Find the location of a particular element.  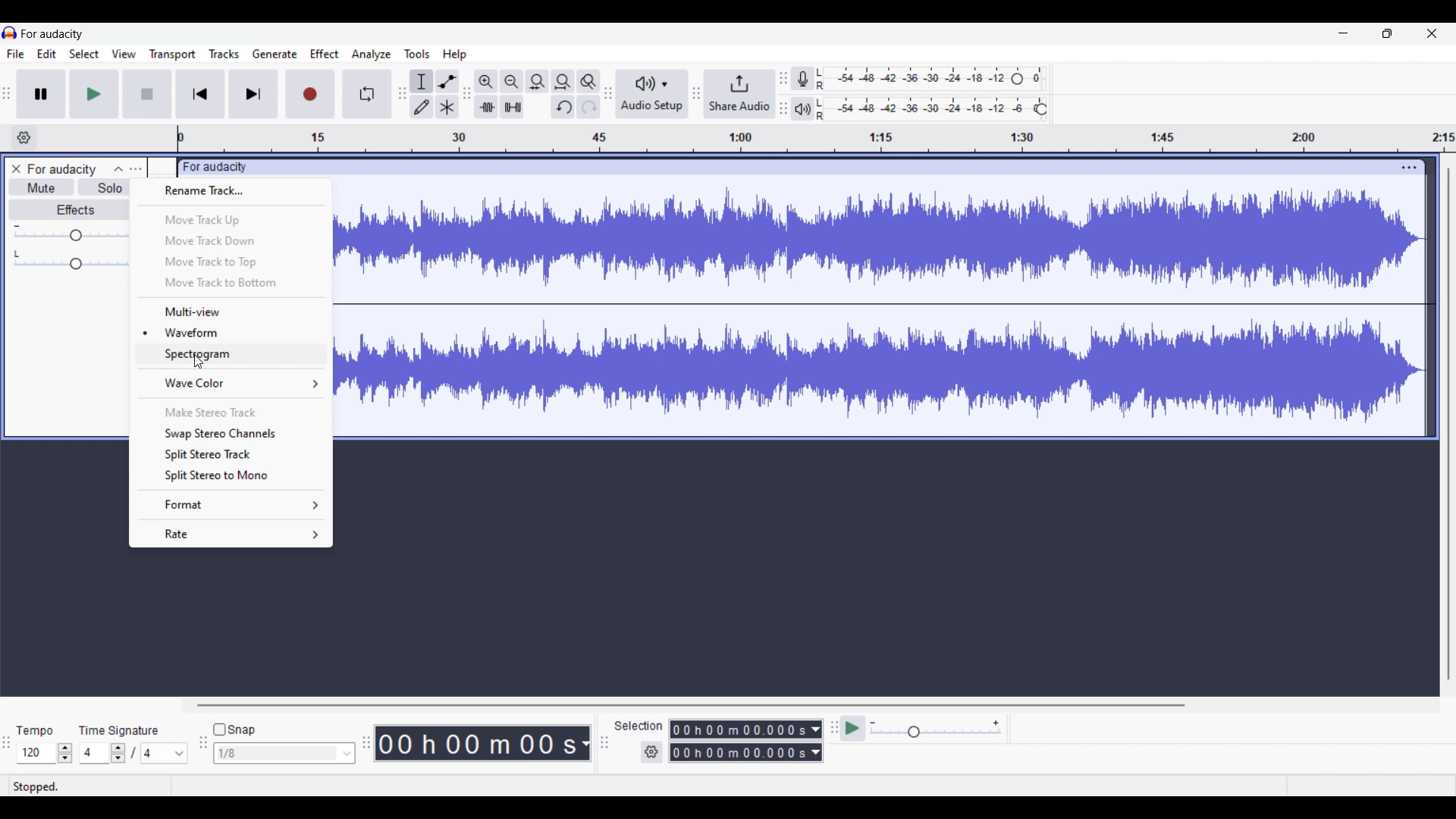

Record/Record new track is located at coordinates (311, 94).